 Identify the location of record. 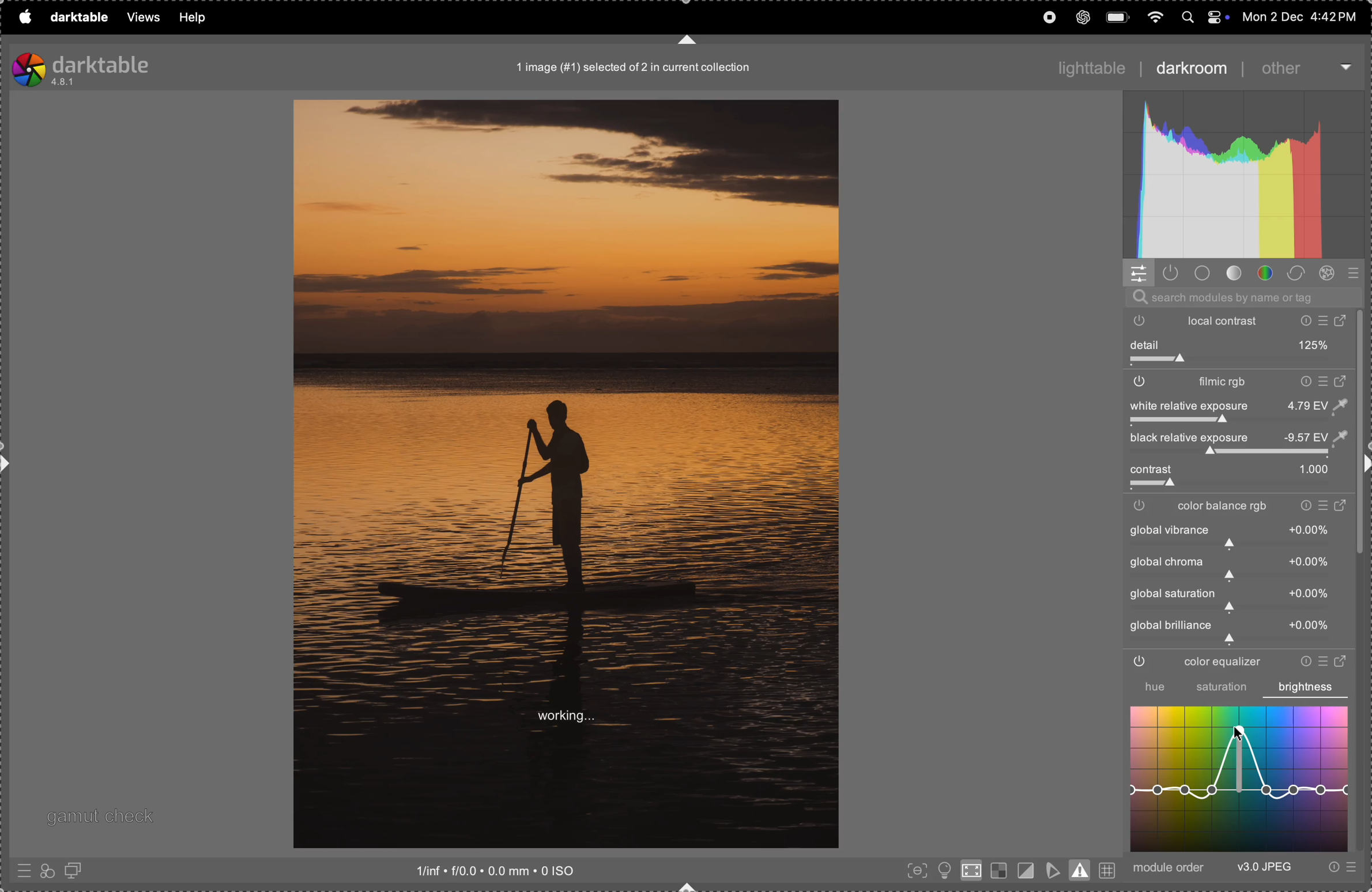
(1047, 17).